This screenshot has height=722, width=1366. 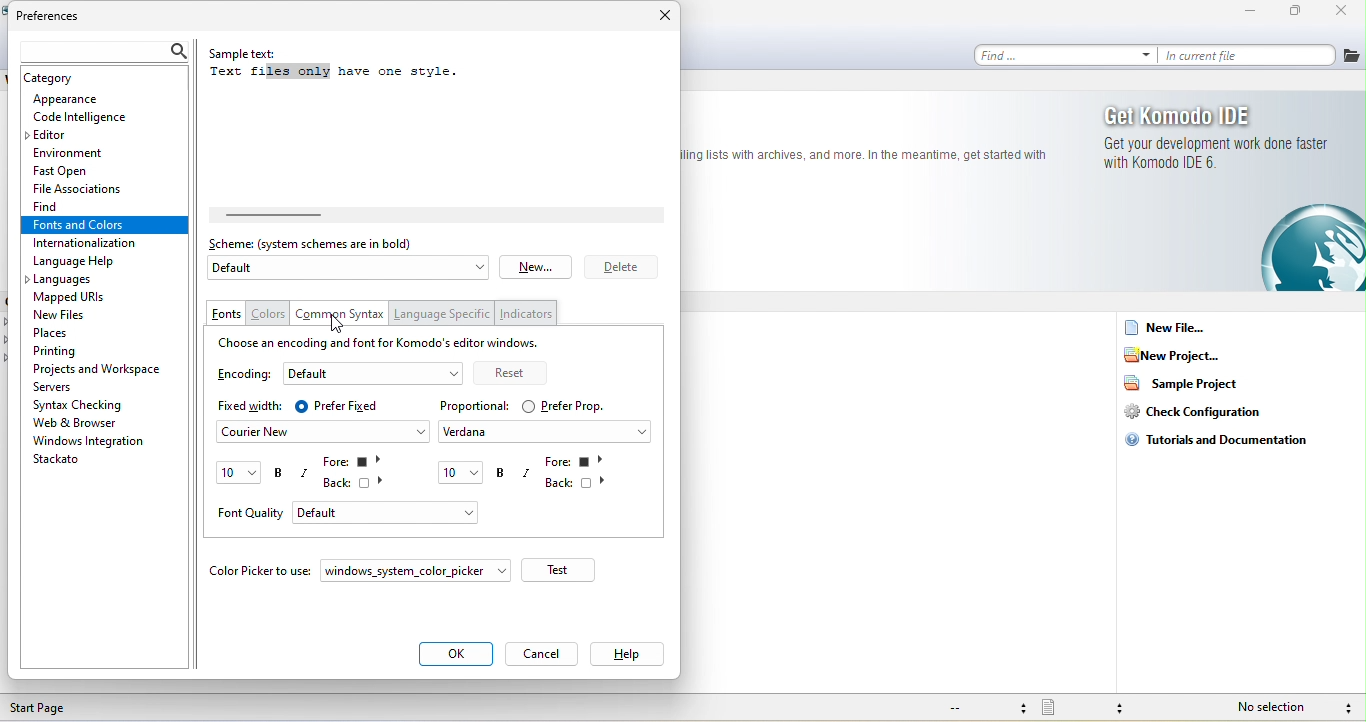 What do you see at coordinates (362, 460) in the screenshot?
I see `forre` at bounding box center [362, 460].